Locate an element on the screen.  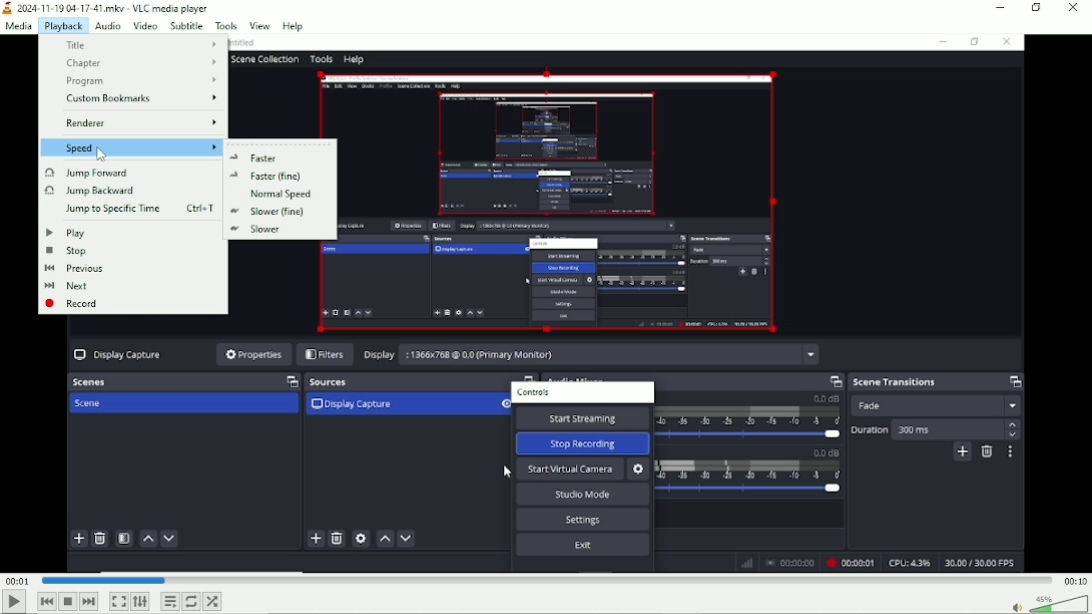
Program is located at coordinates (135, 81).